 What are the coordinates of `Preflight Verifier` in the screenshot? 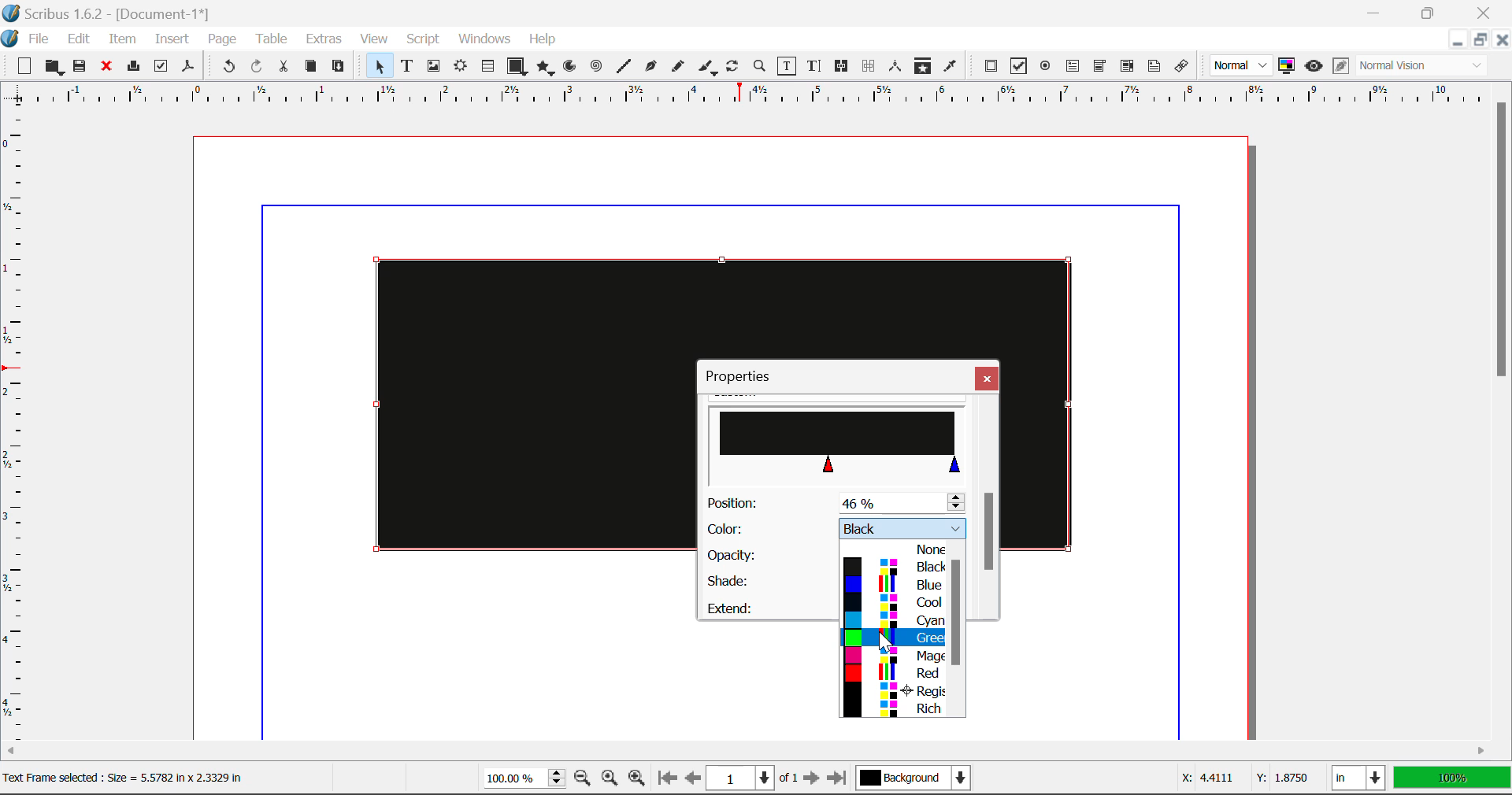 It's located at (161, 68).